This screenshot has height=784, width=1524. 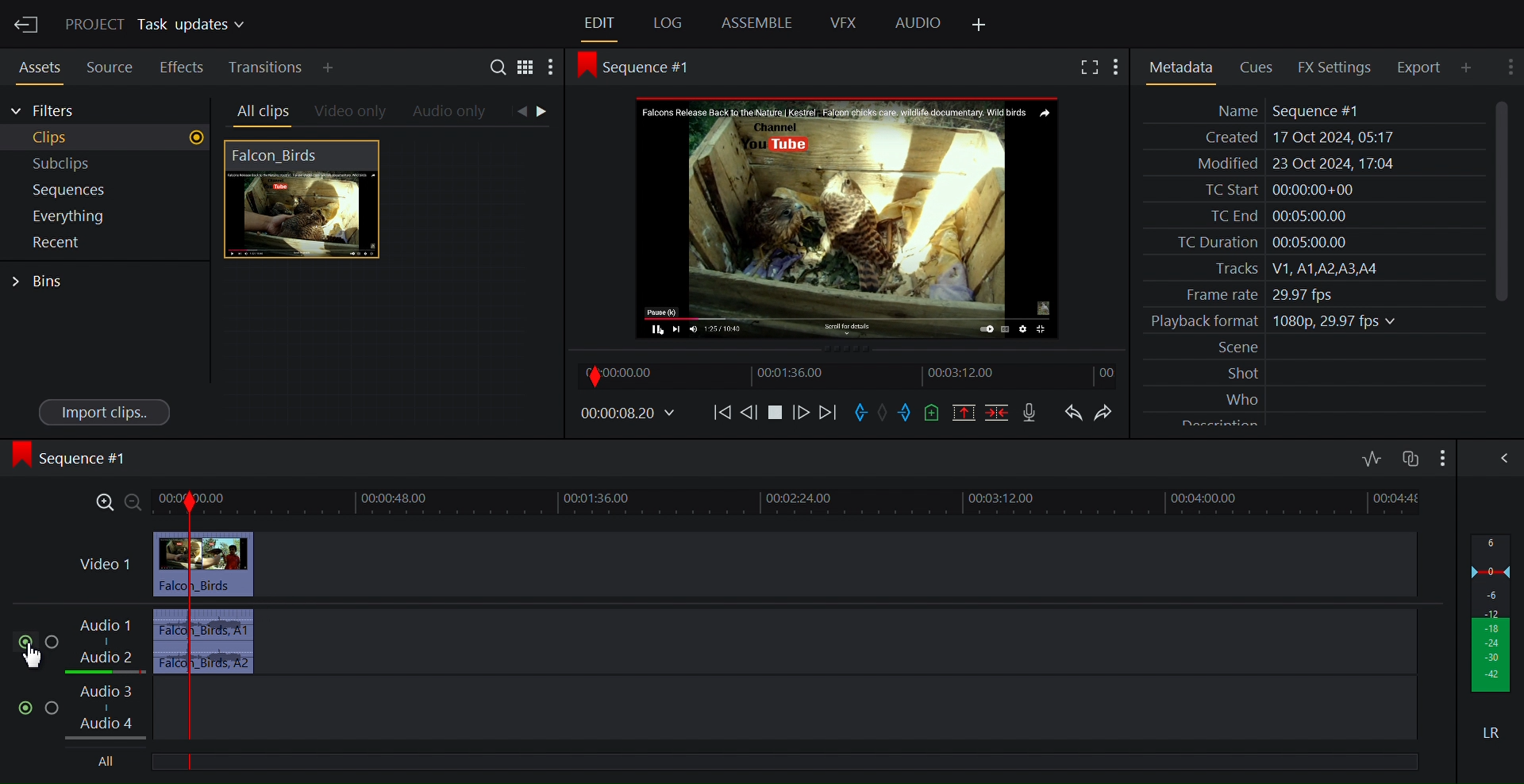 I want to click on Mark out, so click(x=907, y=412).